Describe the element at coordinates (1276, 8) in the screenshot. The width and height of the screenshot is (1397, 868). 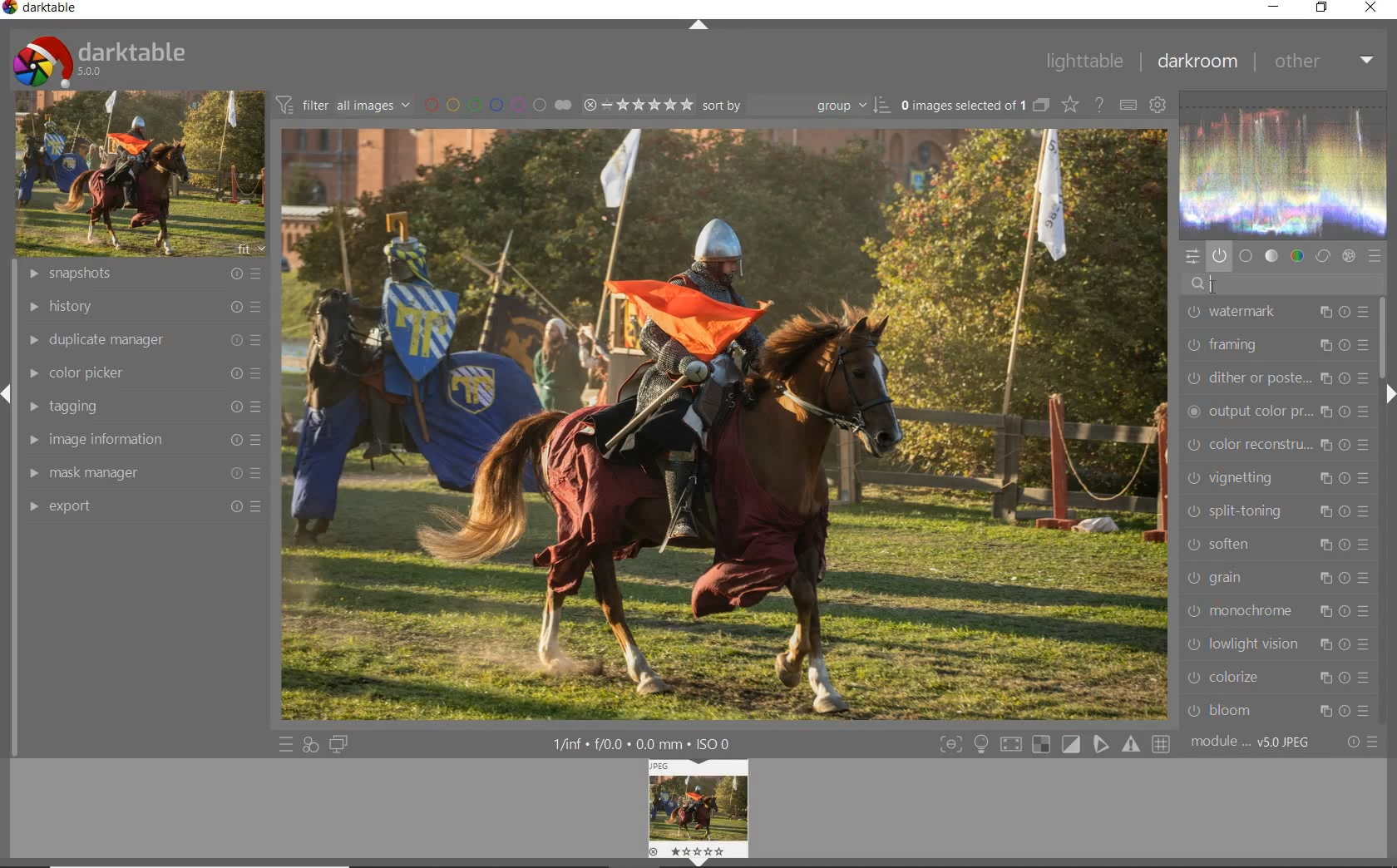
I see `minimize` at that location.